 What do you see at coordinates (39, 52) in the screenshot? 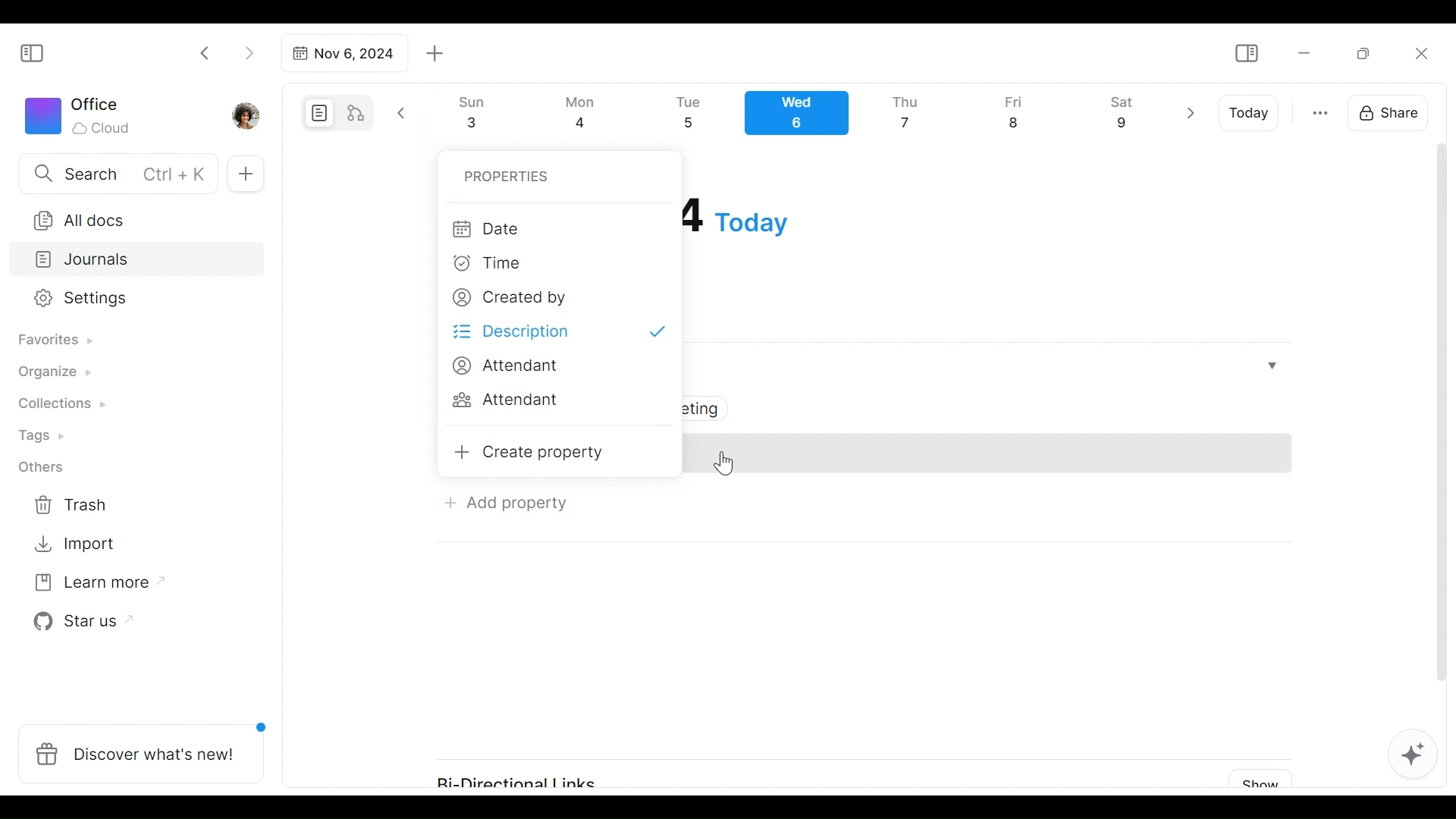
I see `Show/Hide Sidebar` at bounding box center [39, 52].